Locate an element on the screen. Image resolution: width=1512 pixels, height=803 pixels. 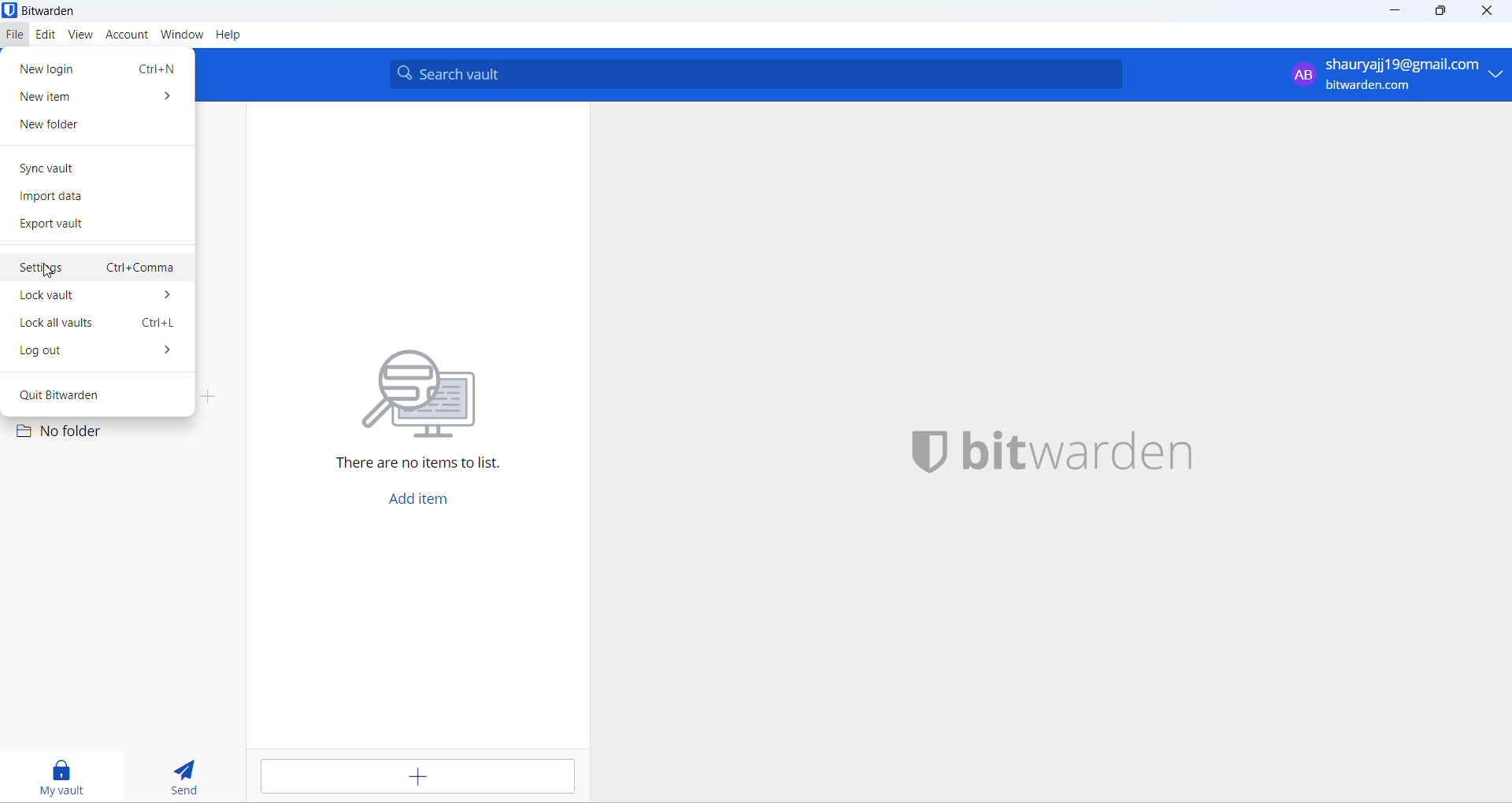
settings is located at coordinates (97, 264).